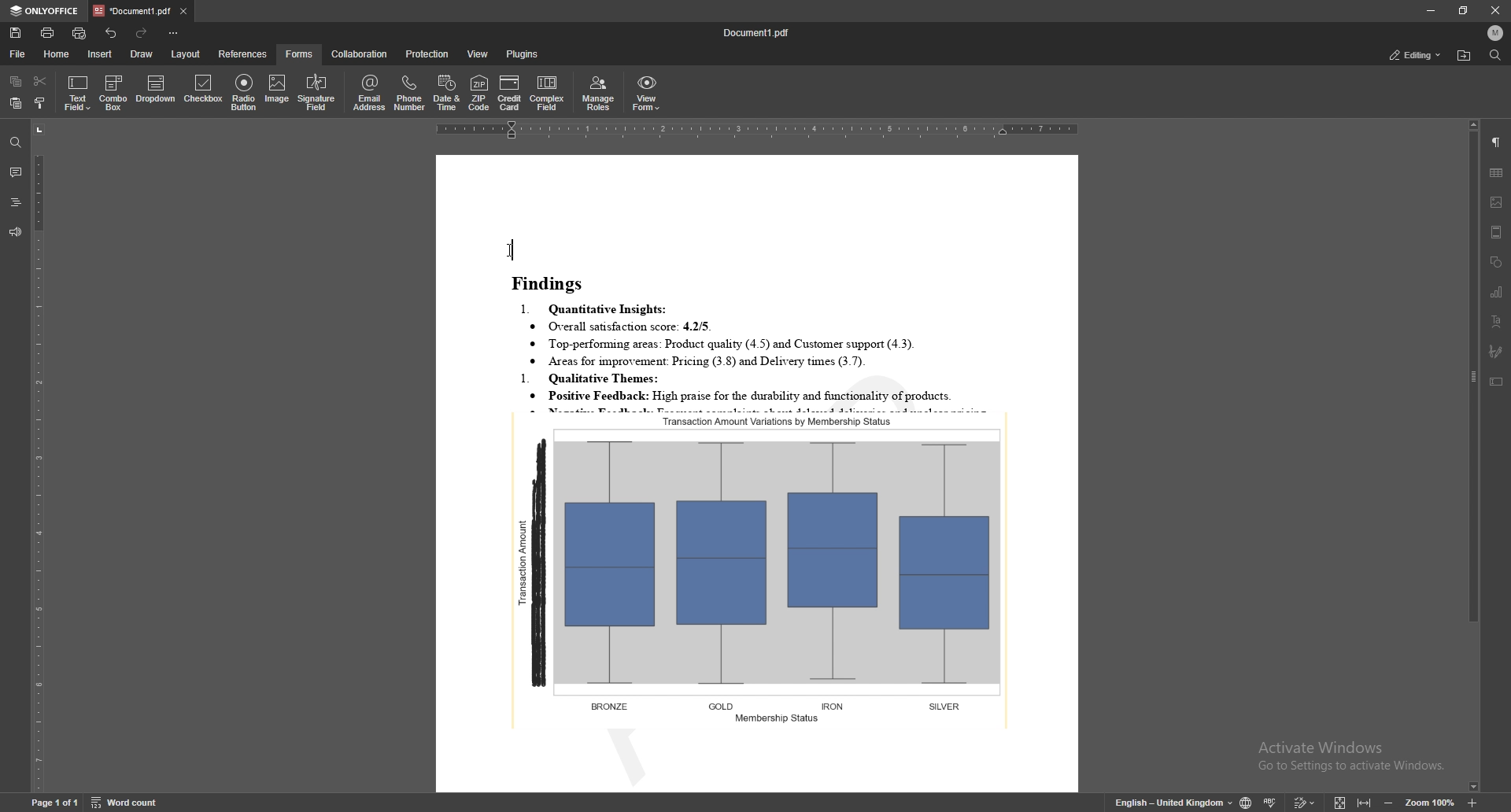 The height and width of the screenshot is (812, 1511). What do you see at coordinates (1390, 803) in the screenshot?
I see `zoom out` at bounding box center [1390, 803].